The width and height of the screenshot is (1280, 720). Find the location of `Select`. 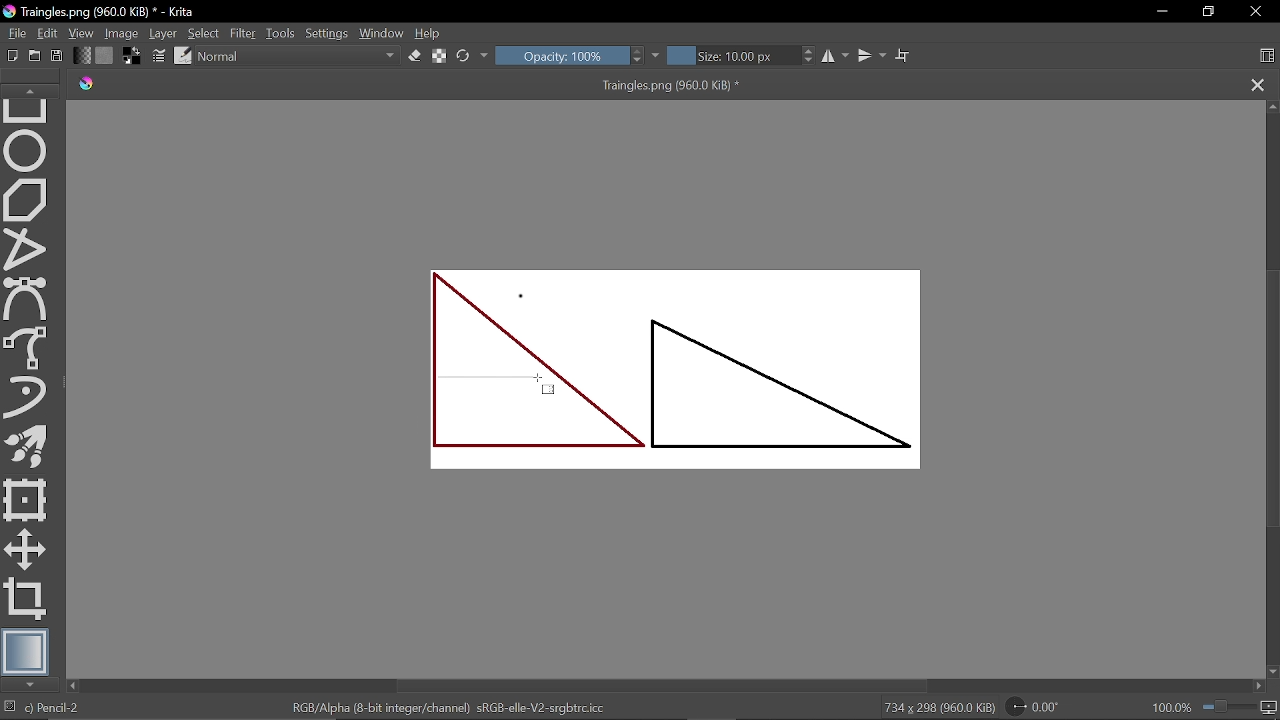

Select is located at coordinates (204, 33).